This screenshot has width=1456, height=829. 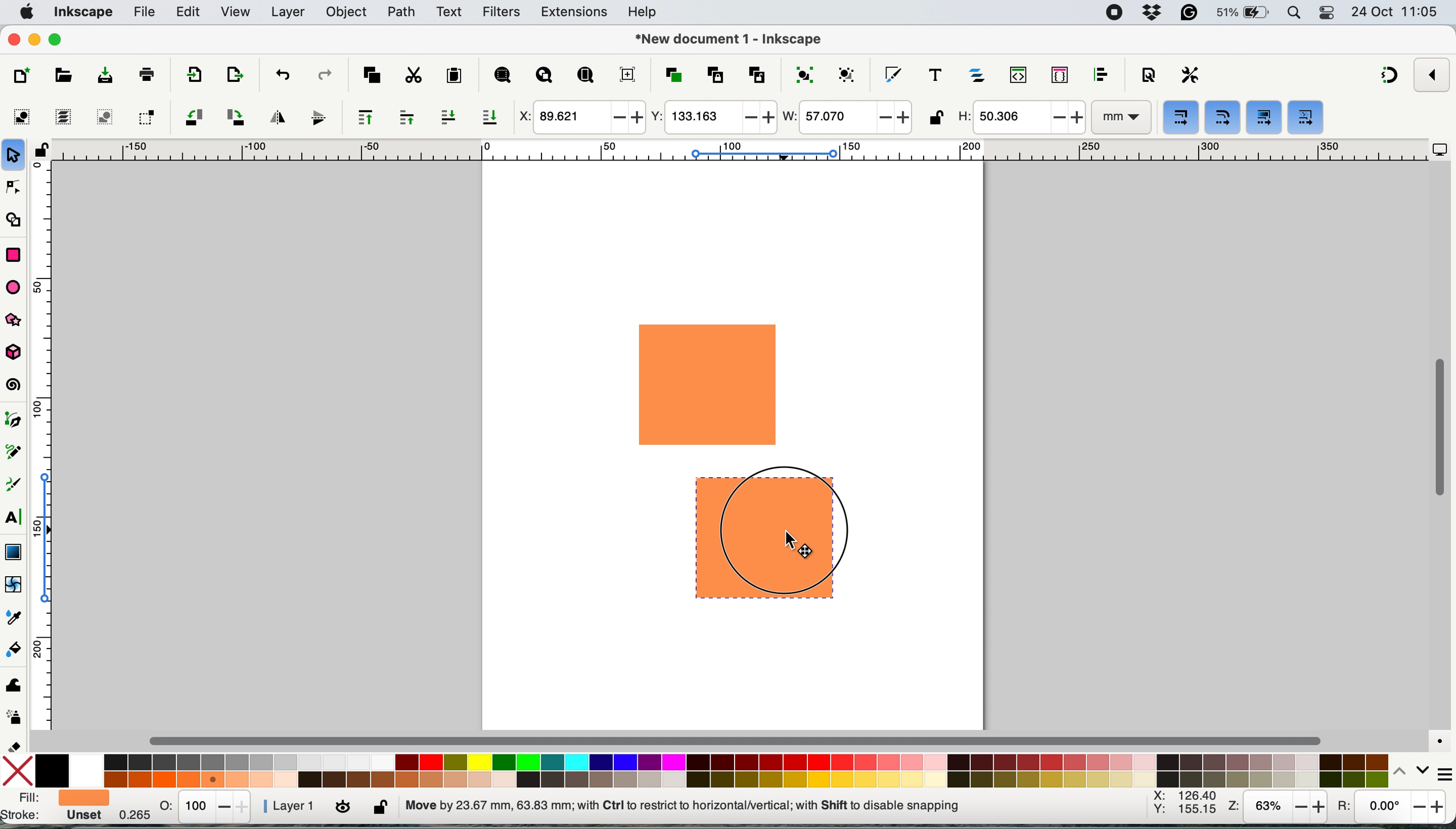 What do you see at coordinates (96, 76) in the screenshot?
I see `save` at bounding box center [96, 76].